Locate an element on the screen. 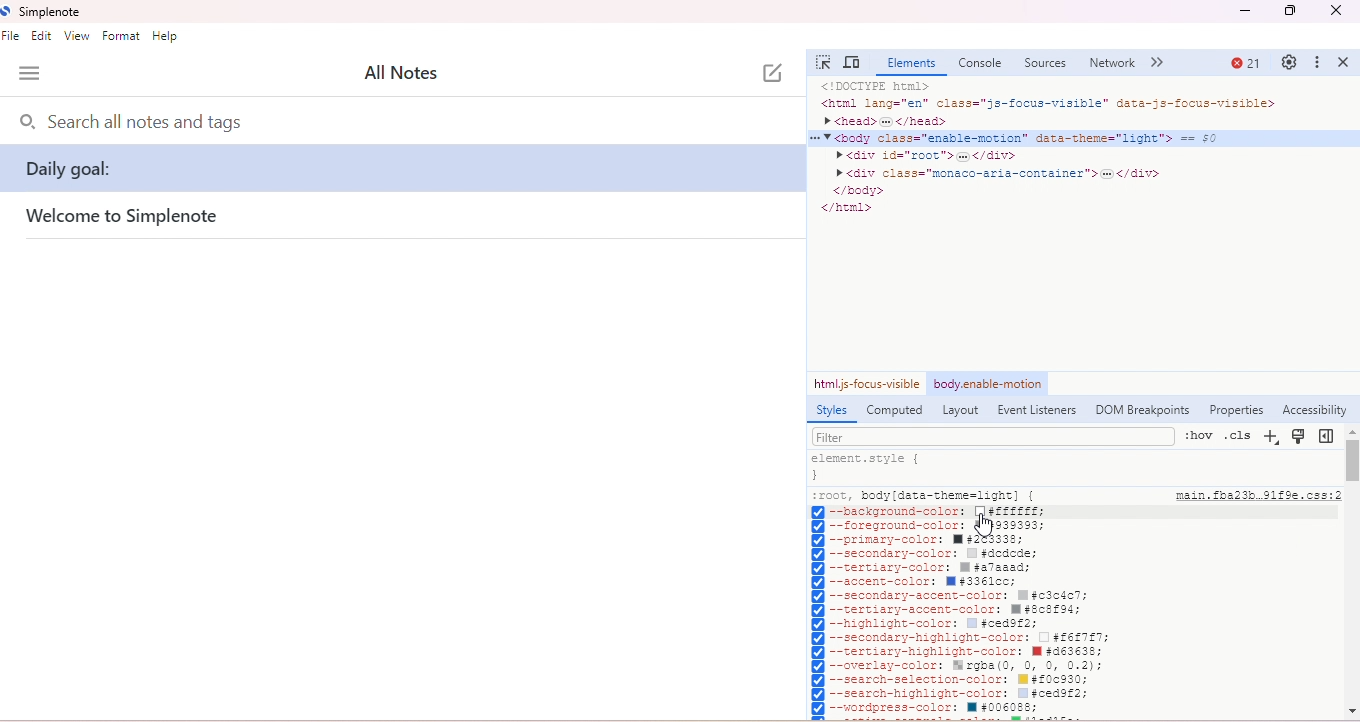 This screenshot has height=722, width=1360. :hov is located at coordinates (1200, 434).